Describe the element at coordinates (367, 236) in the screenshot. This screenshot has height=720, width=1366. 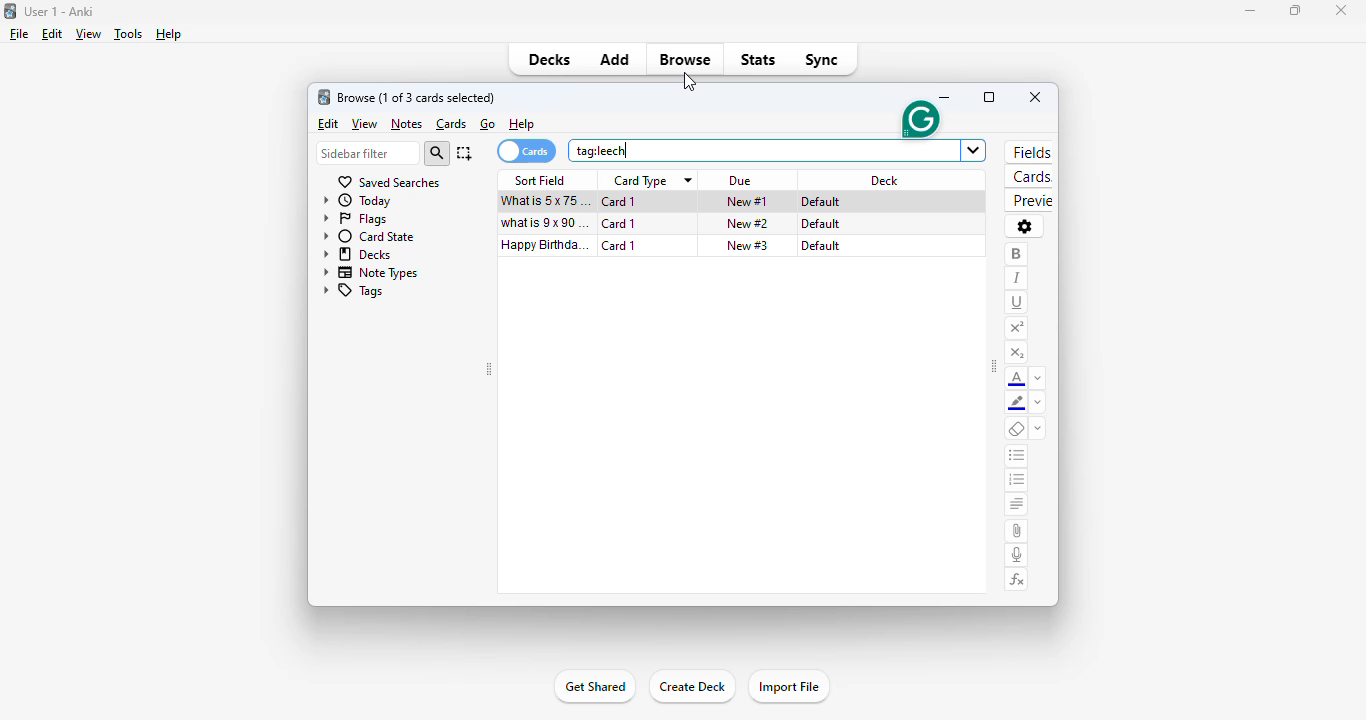
I see `card state` at that location.